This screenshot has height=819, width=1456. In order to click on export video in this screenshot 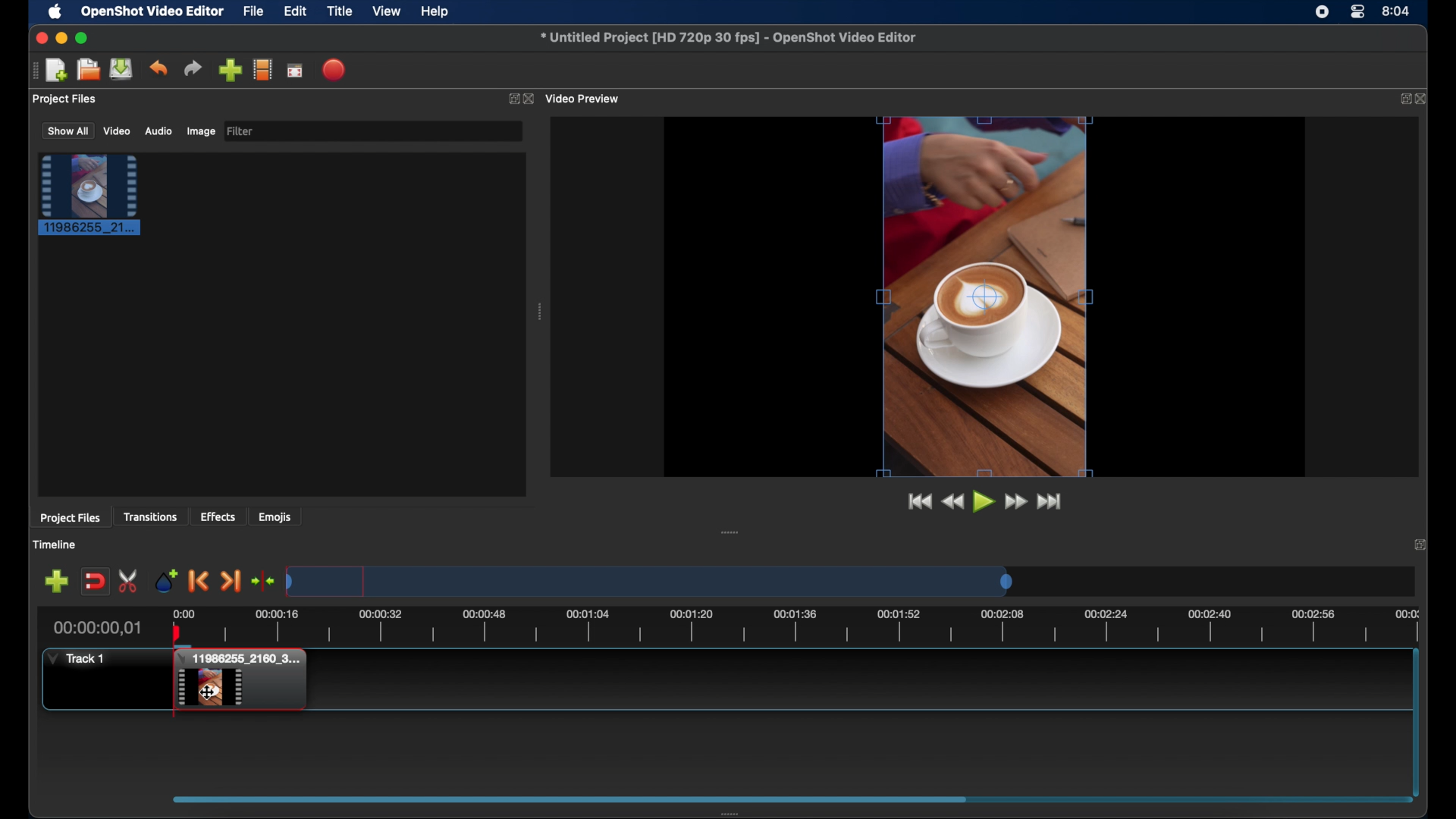, I will do `click(335, 70)`.